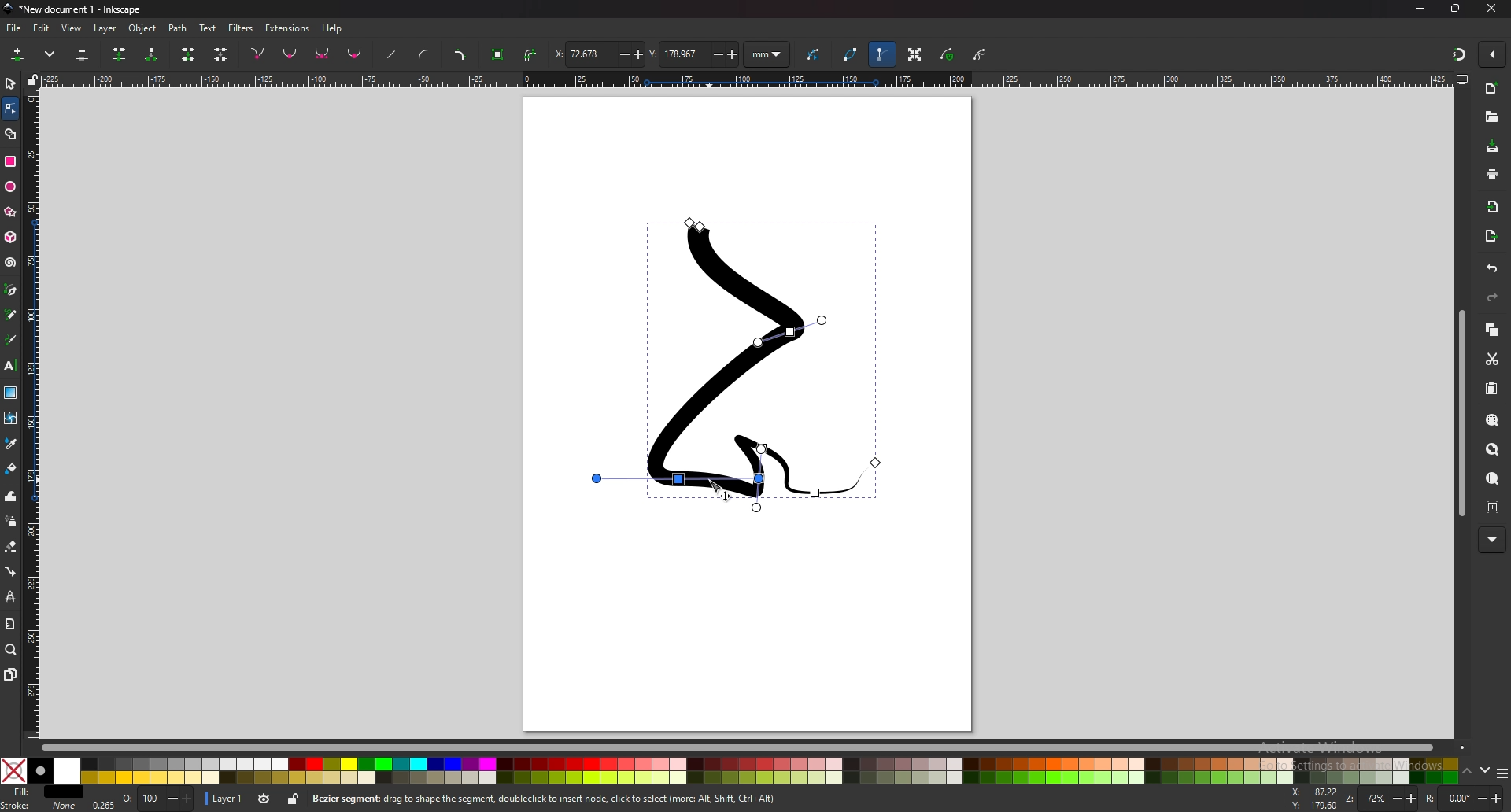  What do you see at coordinates (43, 28) in the screenshot?
I see `edit` at bounding box center [43, 28].